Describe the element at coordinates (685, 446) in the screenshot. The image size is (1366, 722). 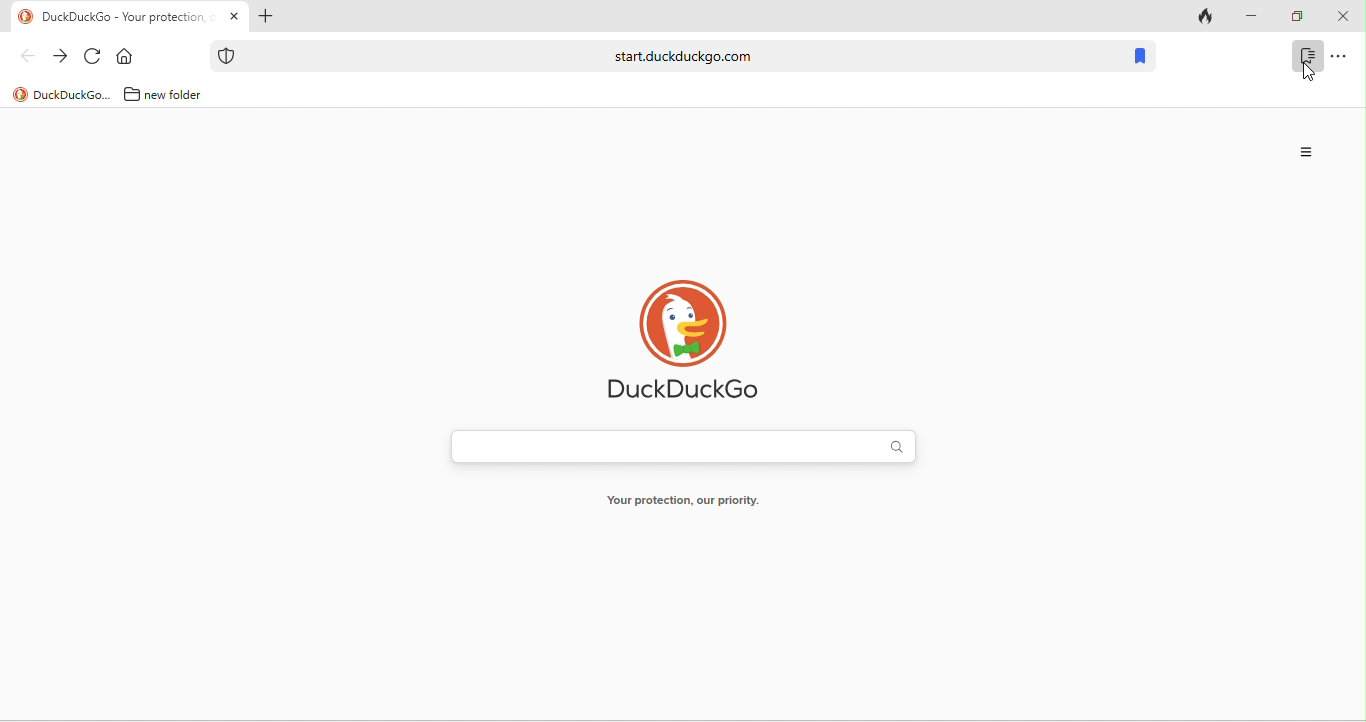
I see `search bar` at that location.